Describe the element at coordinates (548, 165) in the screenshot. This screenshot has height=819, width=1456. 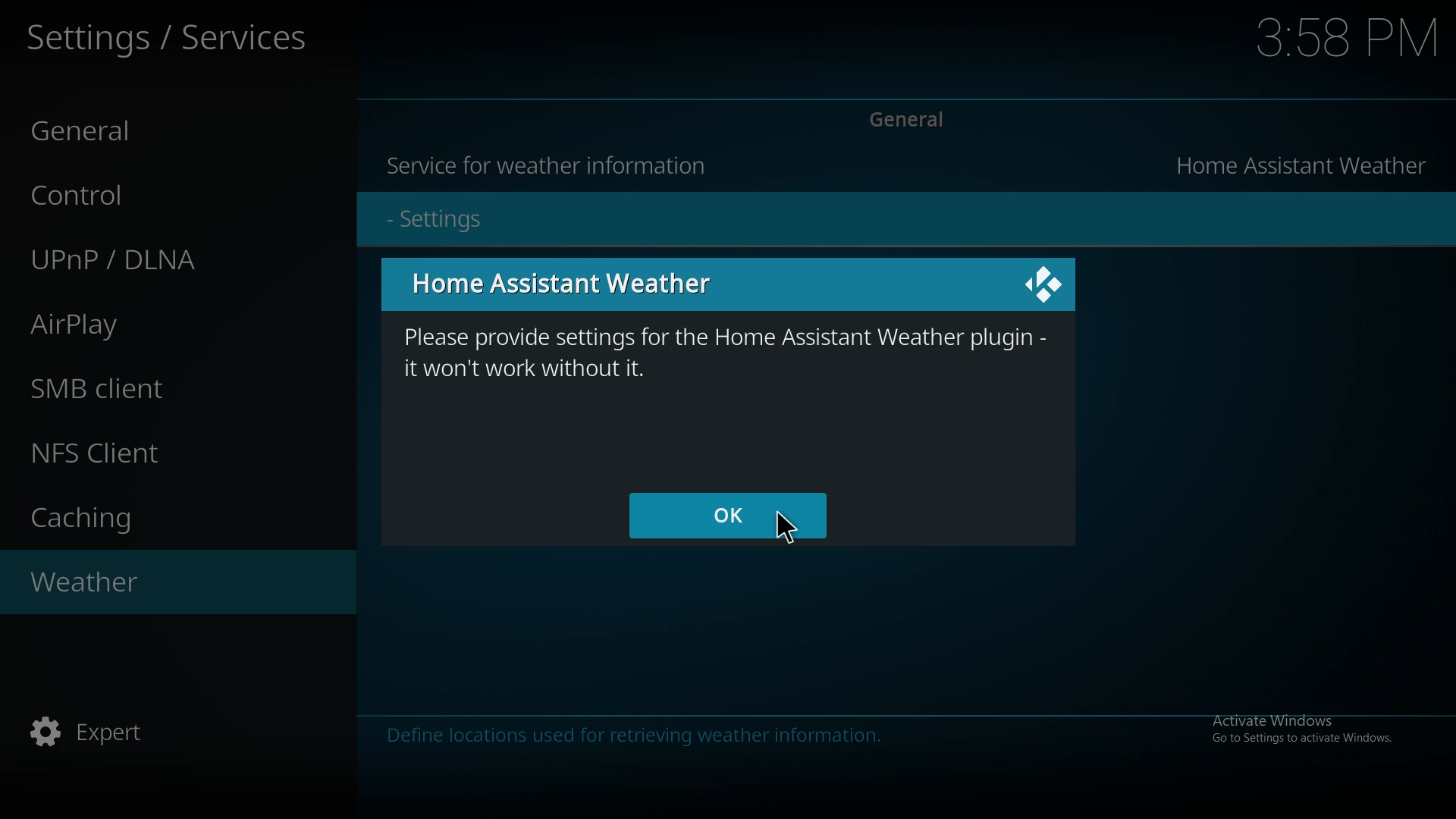
I see `Service for weather information` at that location.